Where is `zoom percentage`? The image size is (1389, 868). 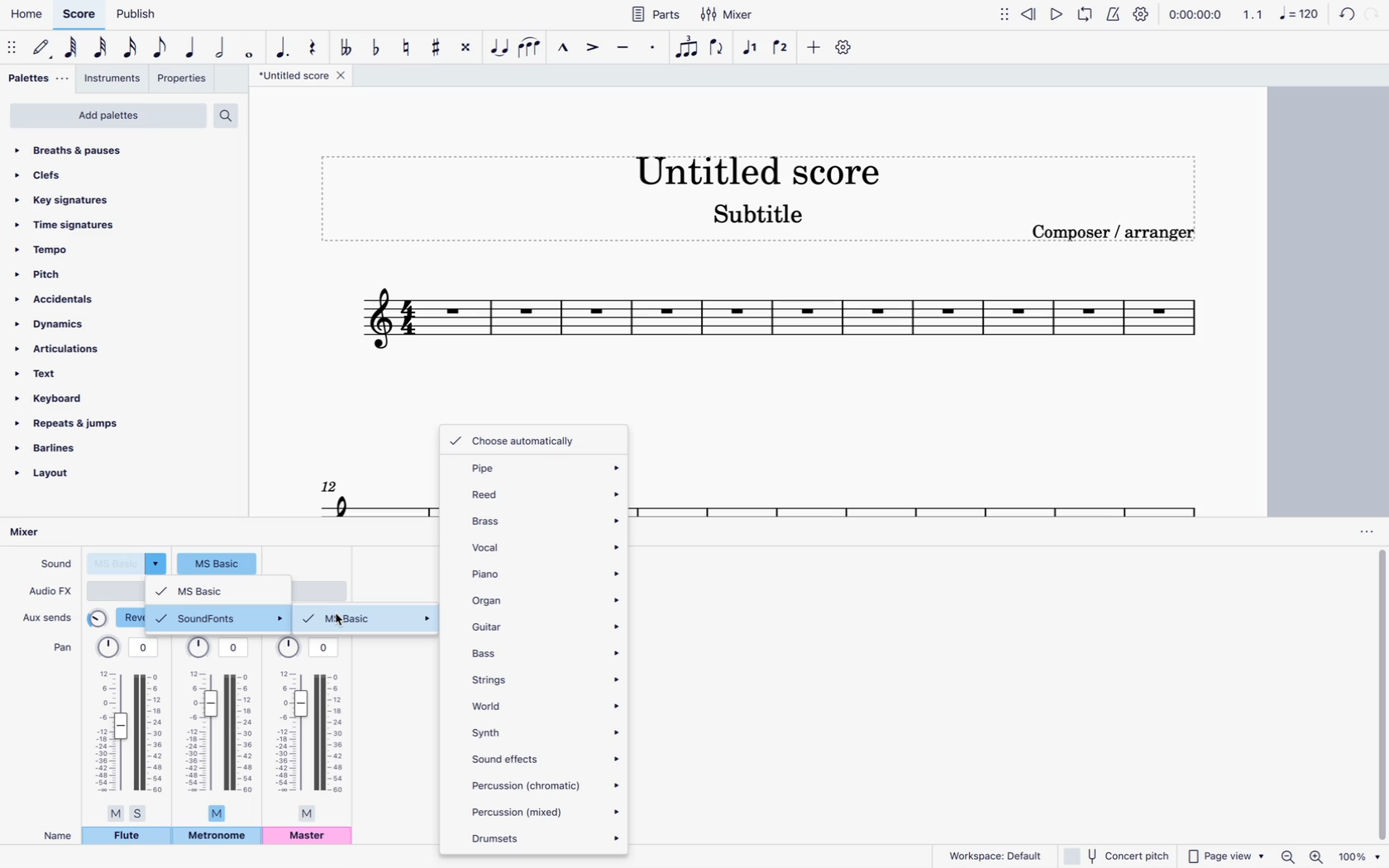 zoom percentage is located at coordinates (1362, 856).